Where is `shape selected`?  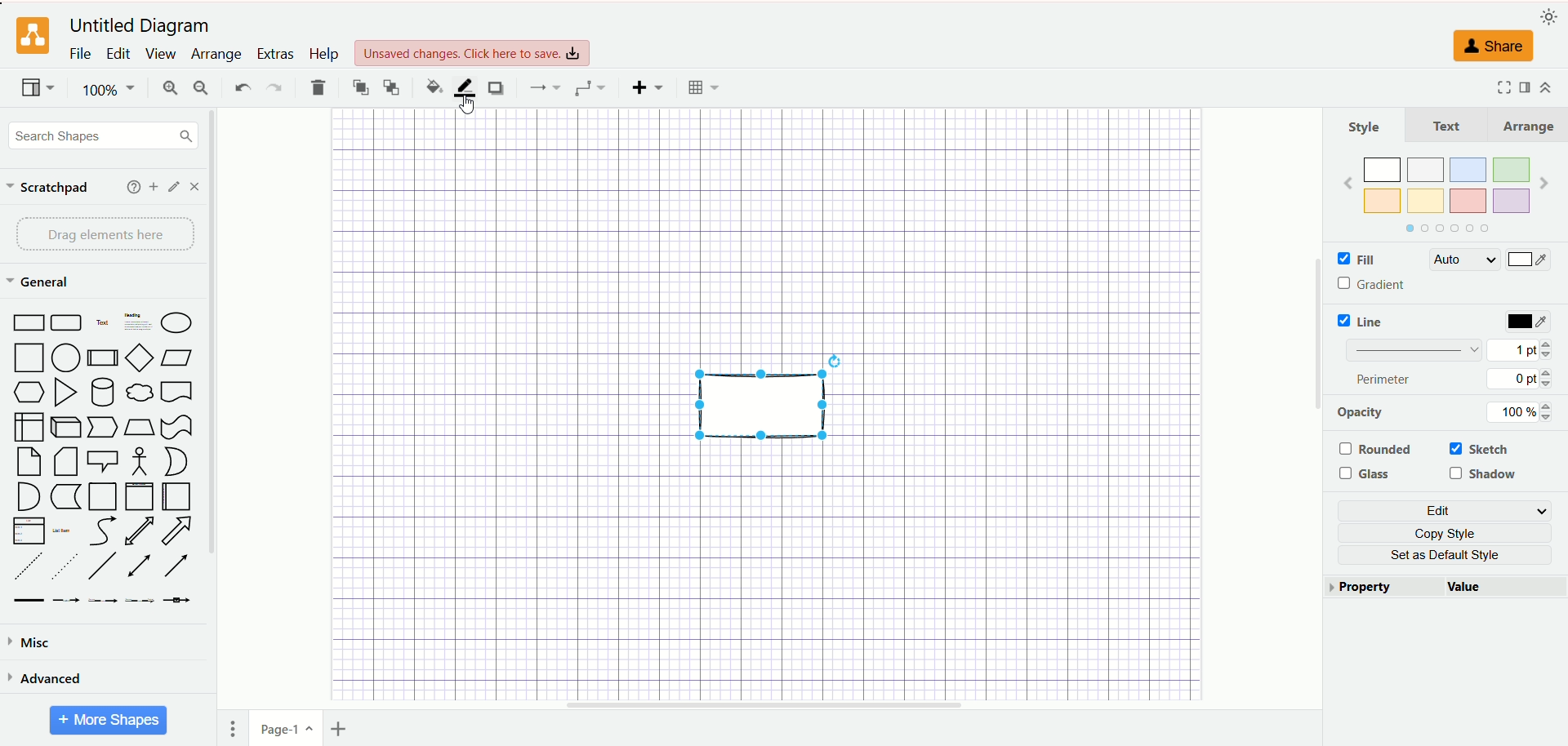
shape selected is located at coordinates (778, 397).